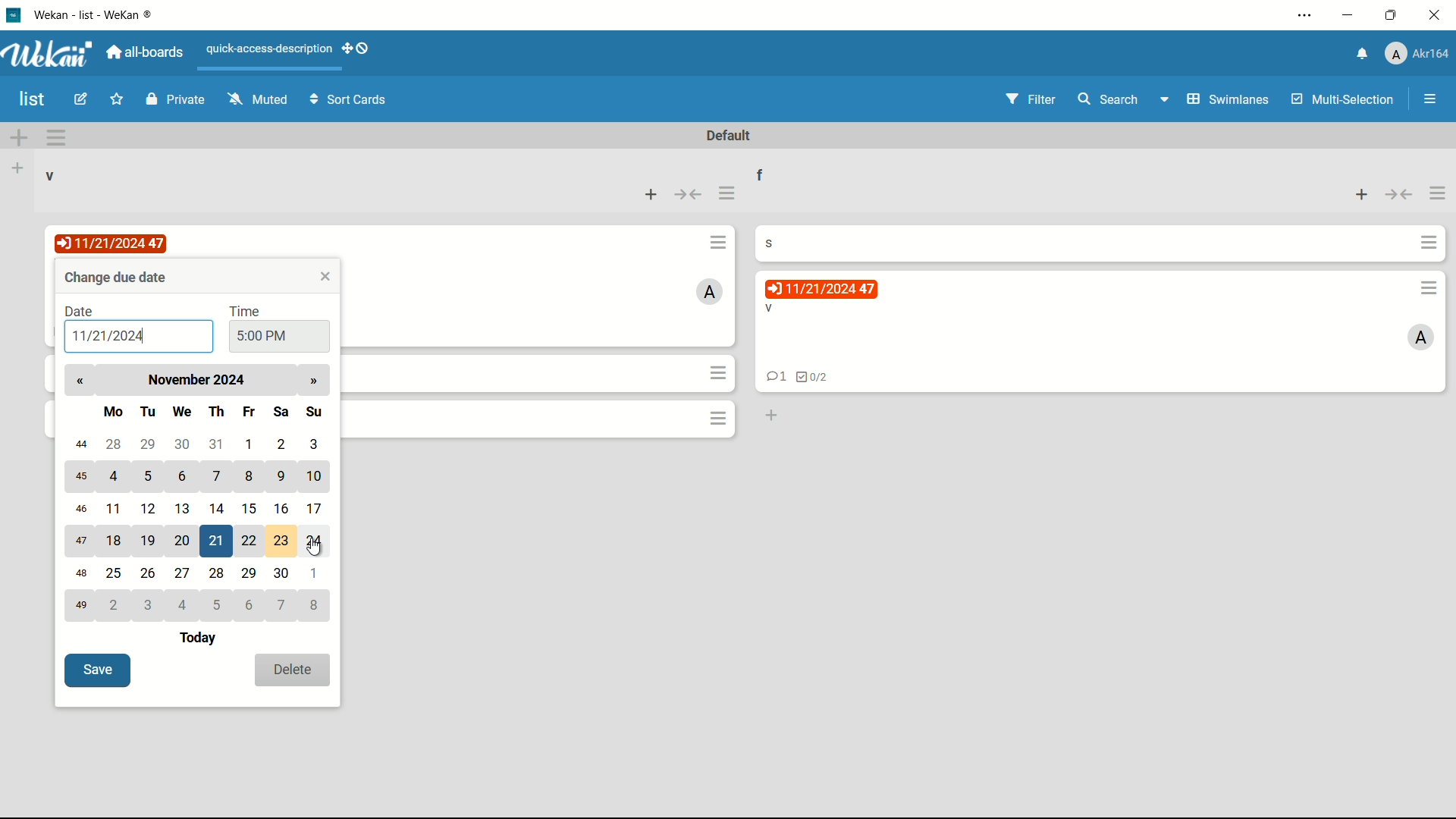  Describe the element at coordinates (80, 606) in the screenshot. I see `49` at that location.